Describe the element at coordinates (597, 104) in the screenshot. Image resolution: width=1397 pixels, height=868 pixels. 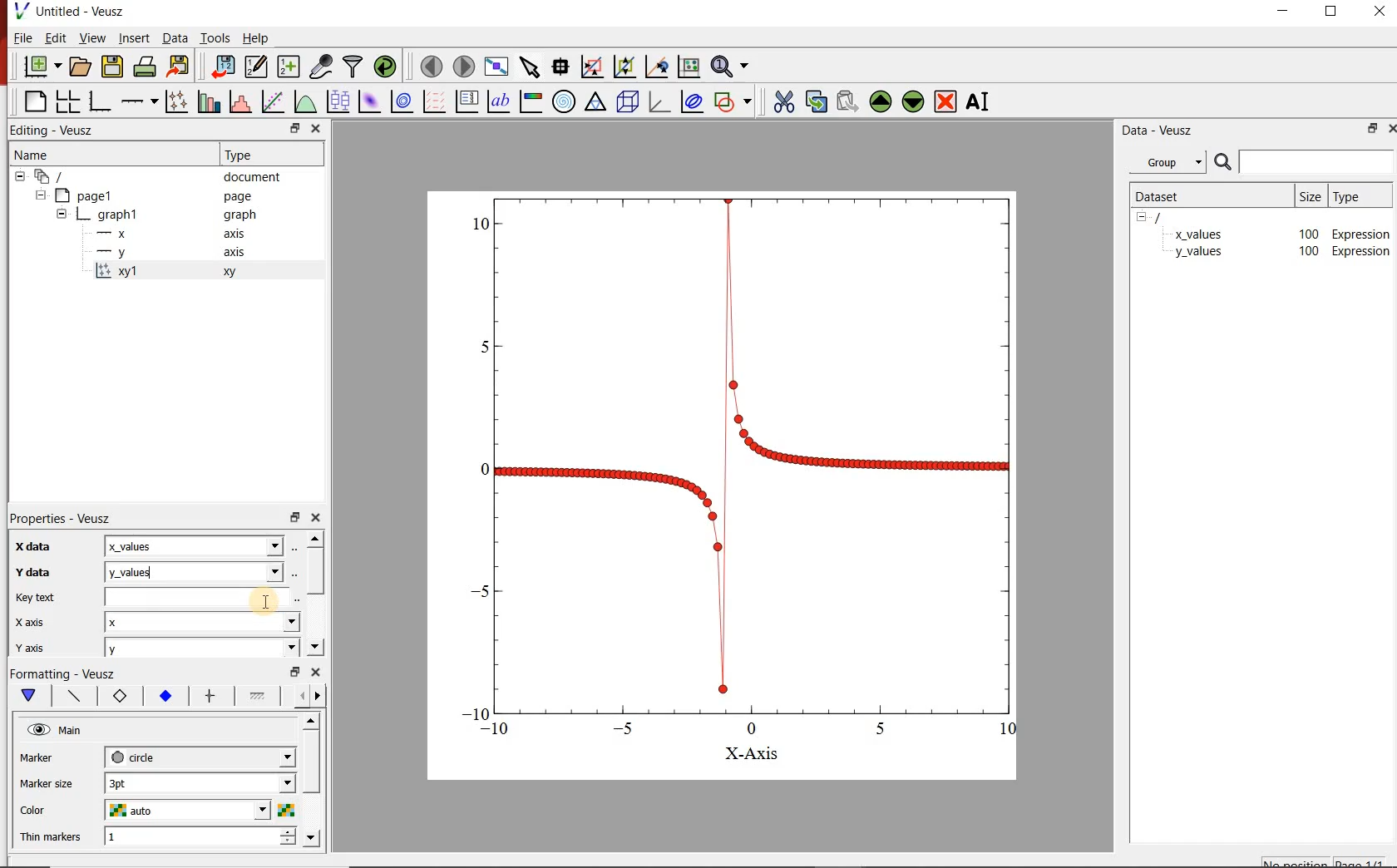
I see `ternary graph` at that location.